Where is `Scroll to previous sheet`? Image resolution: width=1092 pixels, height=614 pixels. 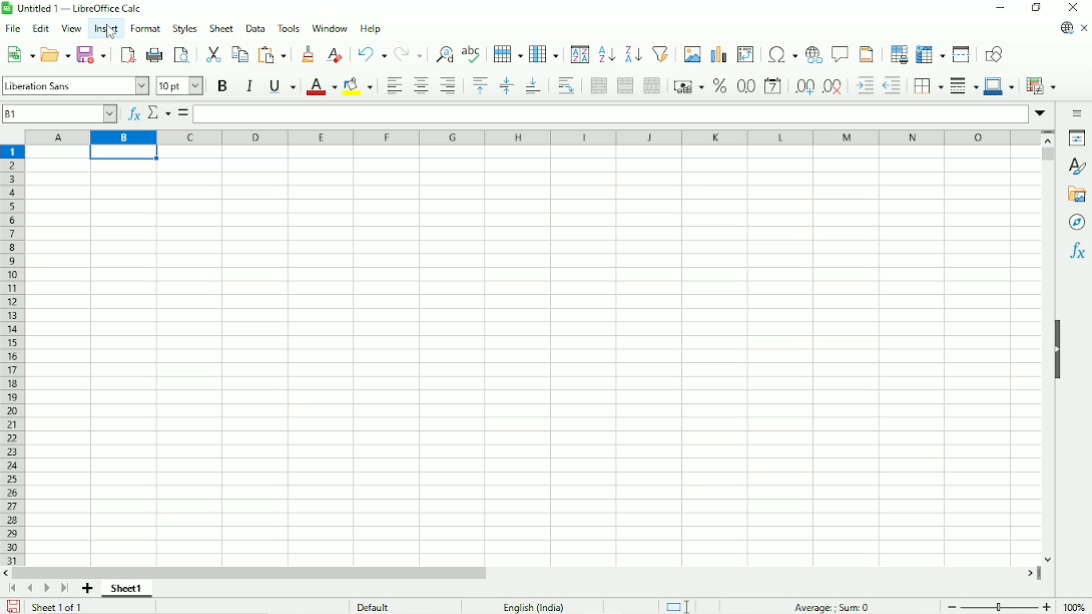 Scroll to previous sheet is located at coordinates (29, 589).